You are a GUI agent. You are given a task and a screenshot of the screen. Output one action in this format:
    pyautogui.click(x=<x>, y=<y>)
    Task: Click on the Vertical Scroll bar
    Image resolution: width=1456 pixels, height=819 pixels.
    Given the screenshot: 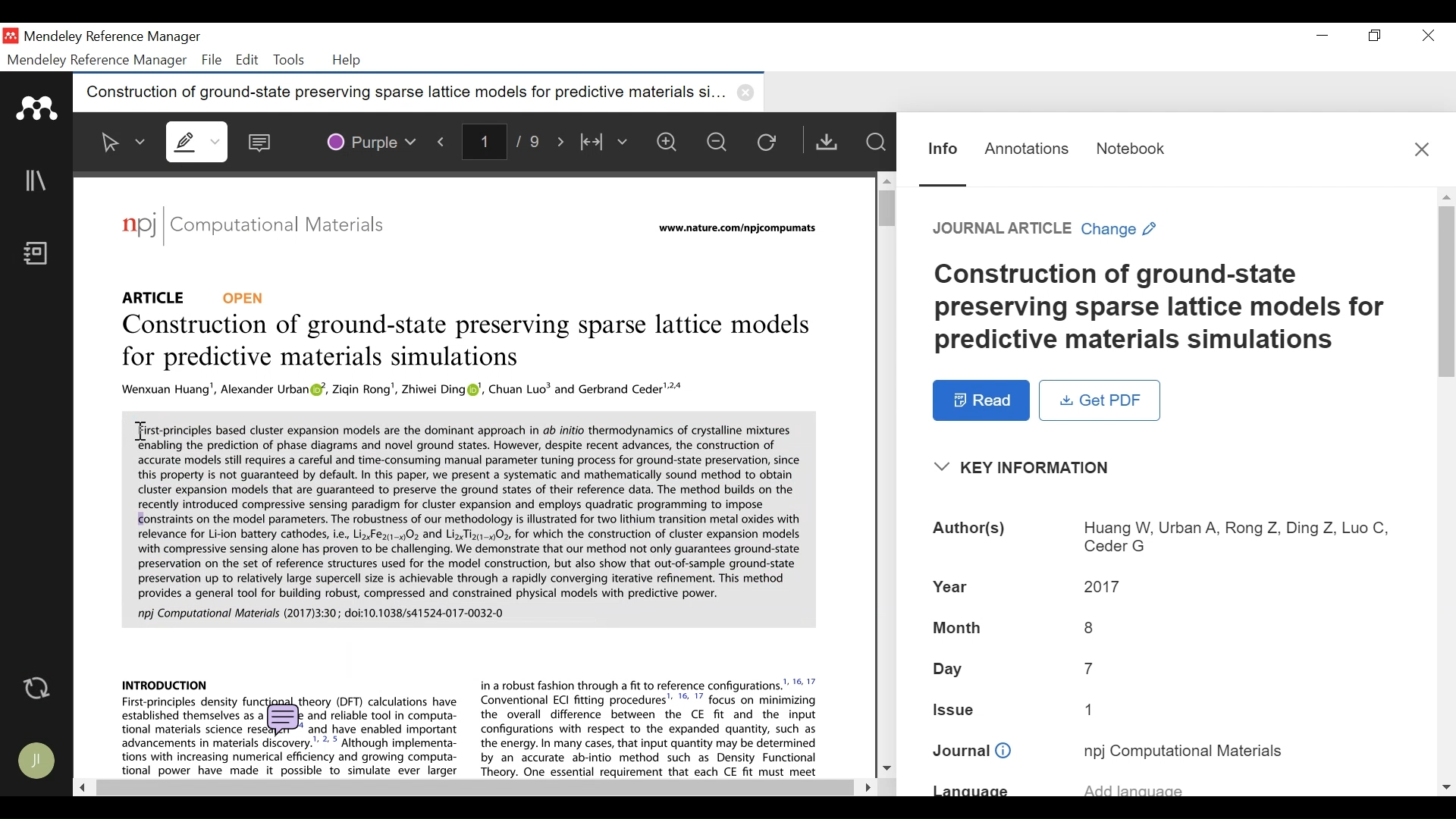 What is the action you would take?
    pyautogui.click(x=882, y=207)
    